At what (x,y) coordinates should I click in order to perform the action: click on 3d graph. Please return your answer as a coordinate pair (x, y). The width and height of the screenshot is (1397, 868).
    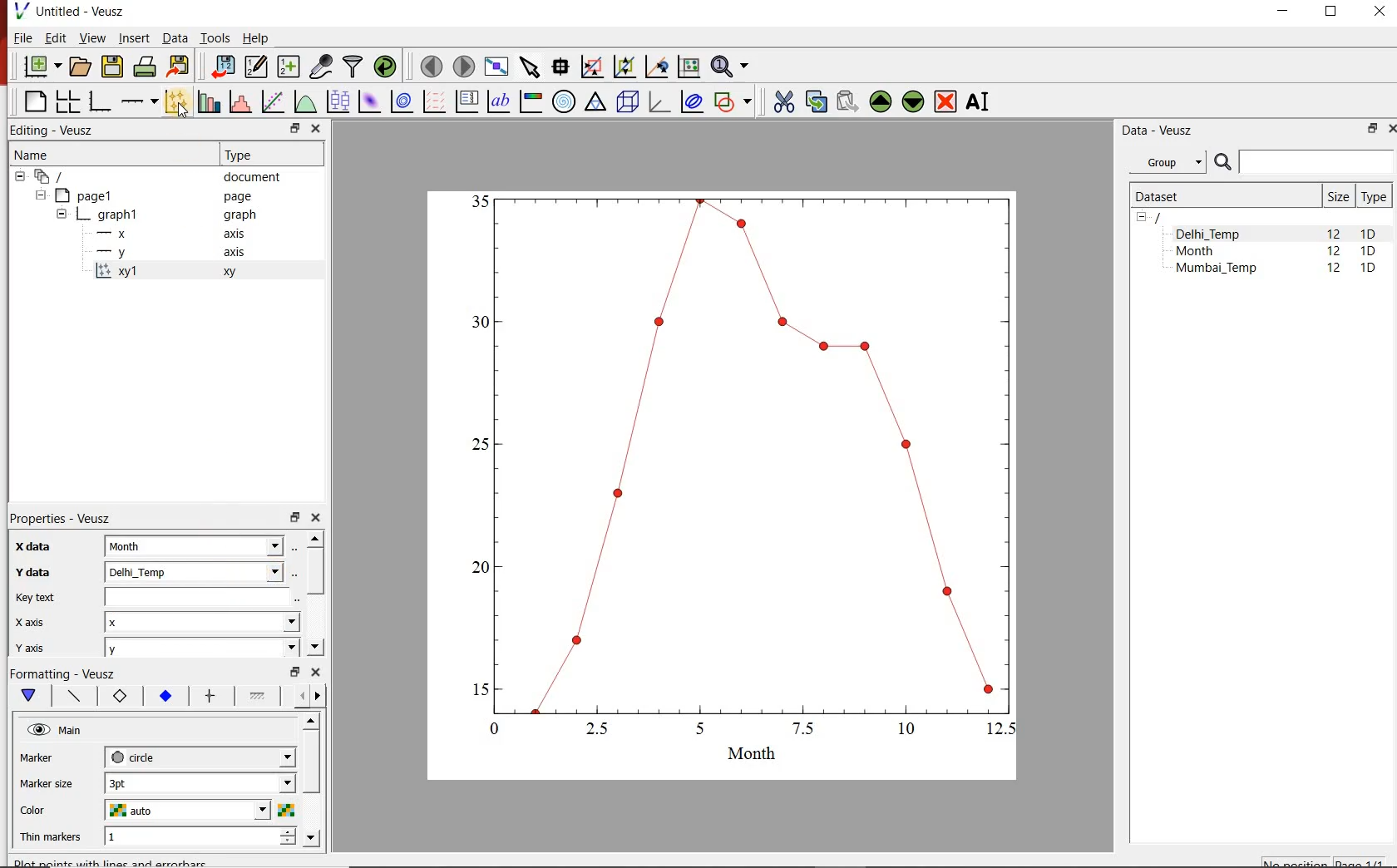
    Looking at the image, I should click on (657, 101).